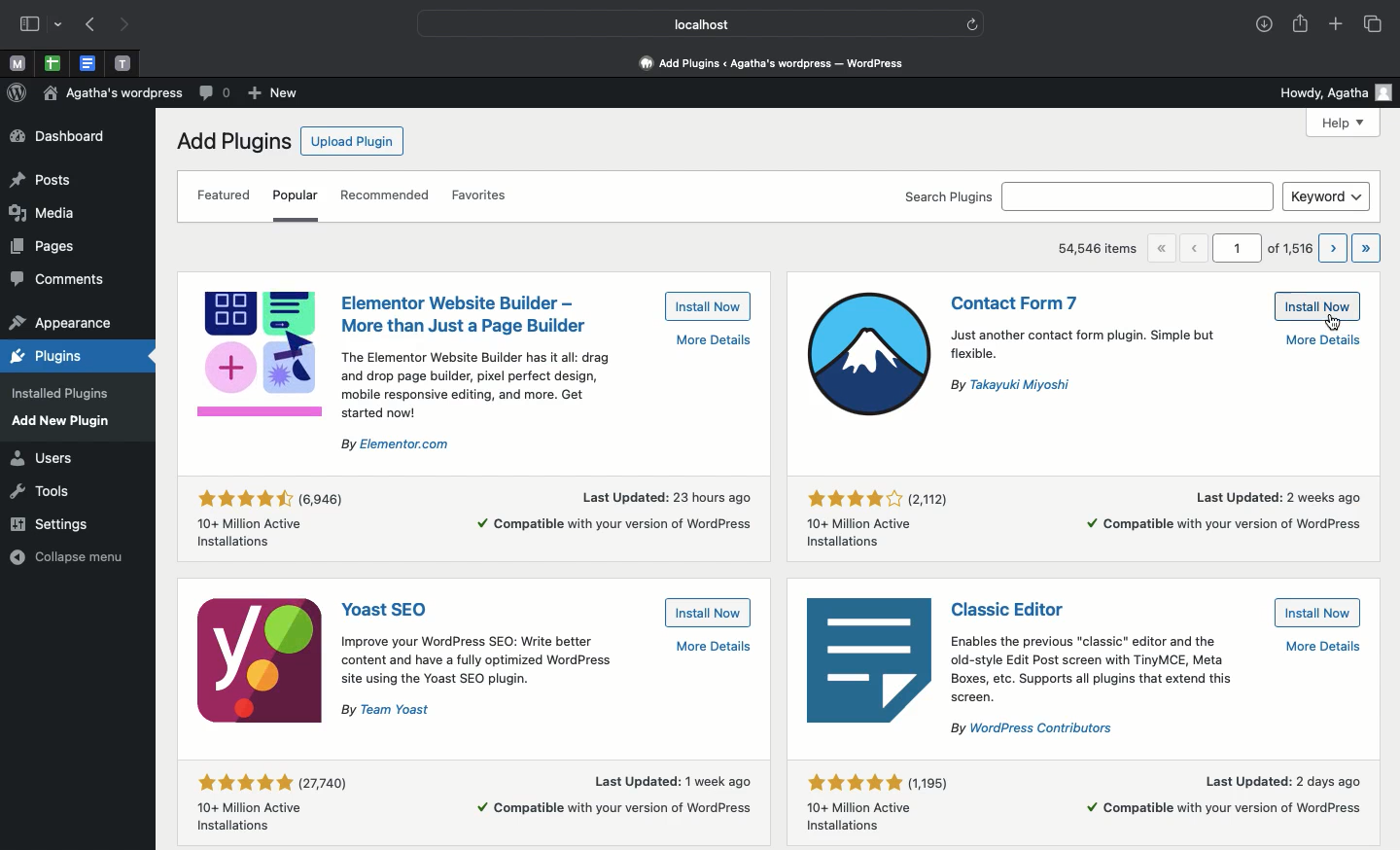 This screenshot has width=1400, height=850. What do you see at coordinates (464, 314) in the screenshot?
I see `Elementor website builder` at bounding box center [464, 314].